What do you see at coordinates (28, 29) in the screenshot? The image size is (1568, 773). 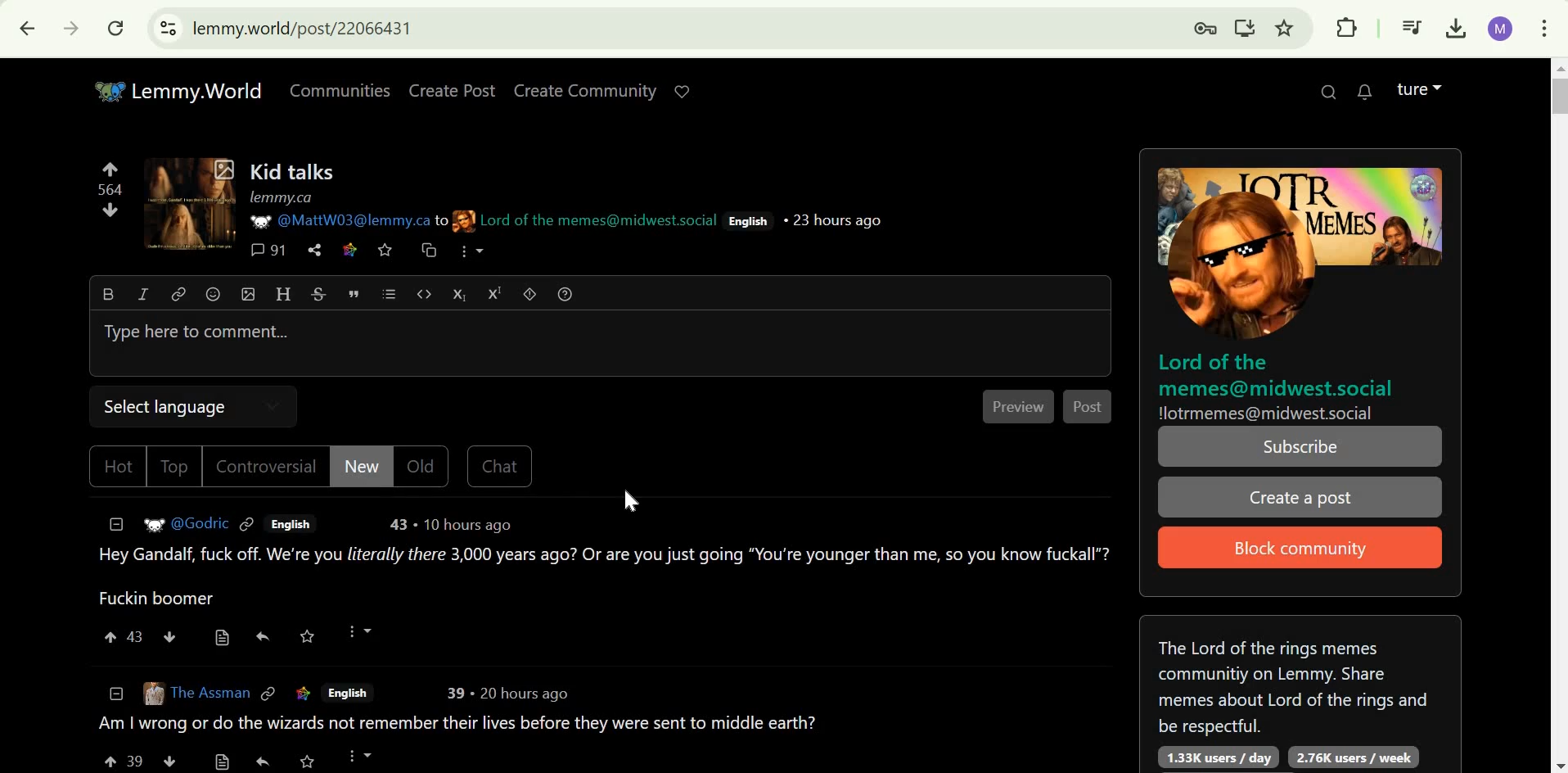 I see `click to go back, hold to see history` at bounding box center [28, 29].